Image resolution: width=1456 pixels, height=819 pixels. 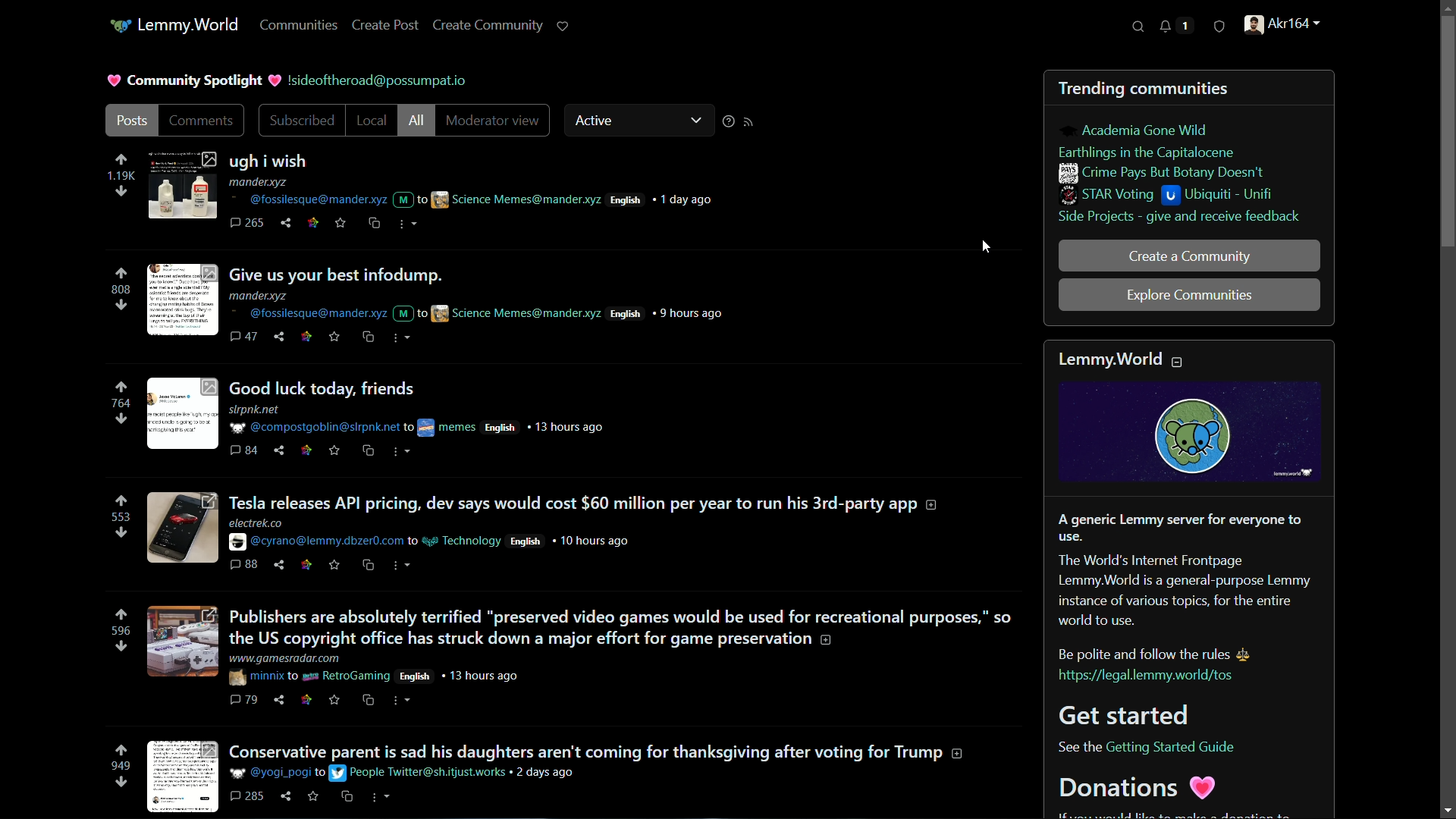 What do you see at coordinates (935, 505) in the screenshot?
I see `more information` at bounding box center [935, 505].